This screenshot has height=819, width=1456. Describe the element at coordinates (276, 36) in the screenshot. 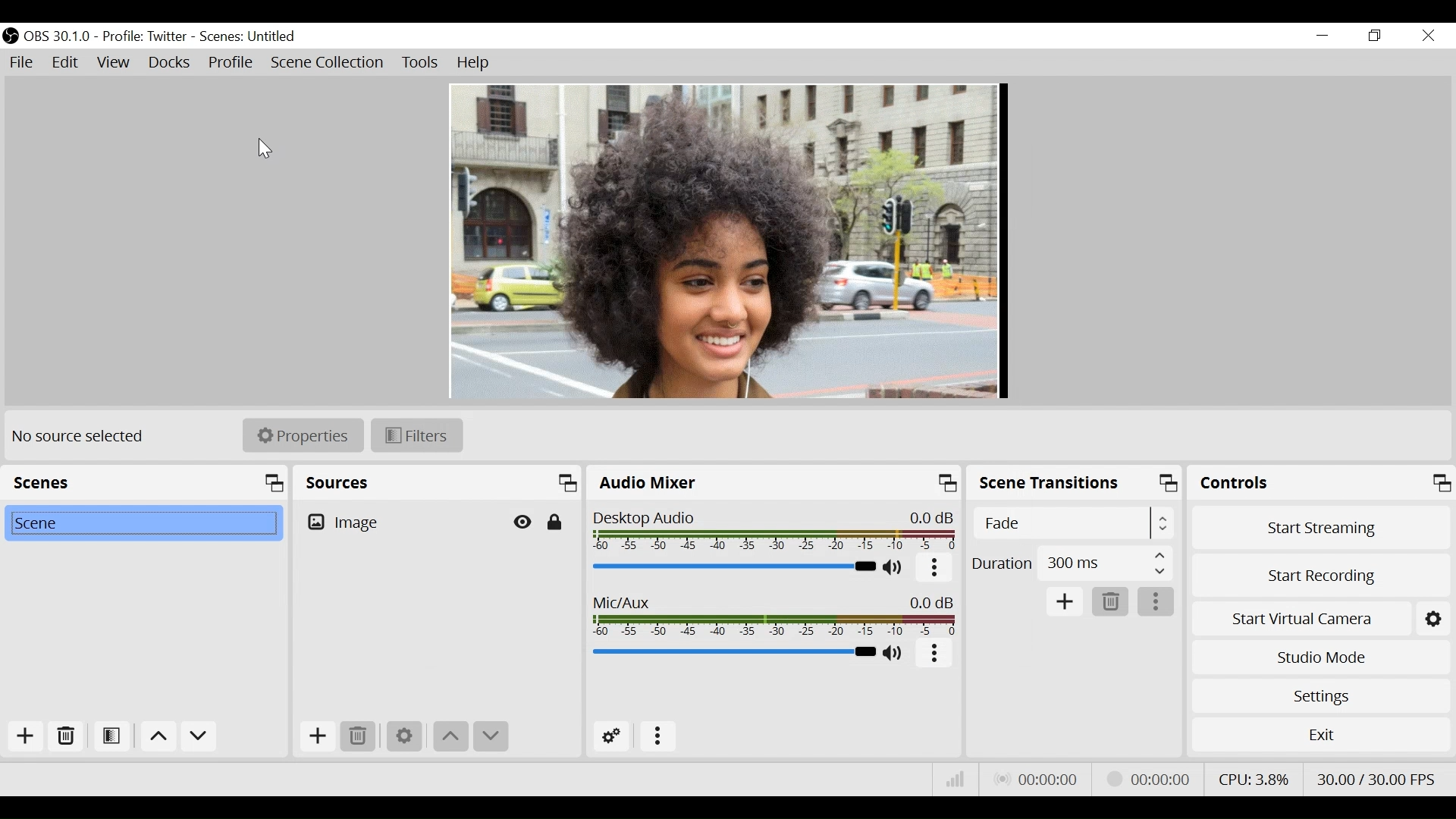

I see `Scenes Name` at that location.